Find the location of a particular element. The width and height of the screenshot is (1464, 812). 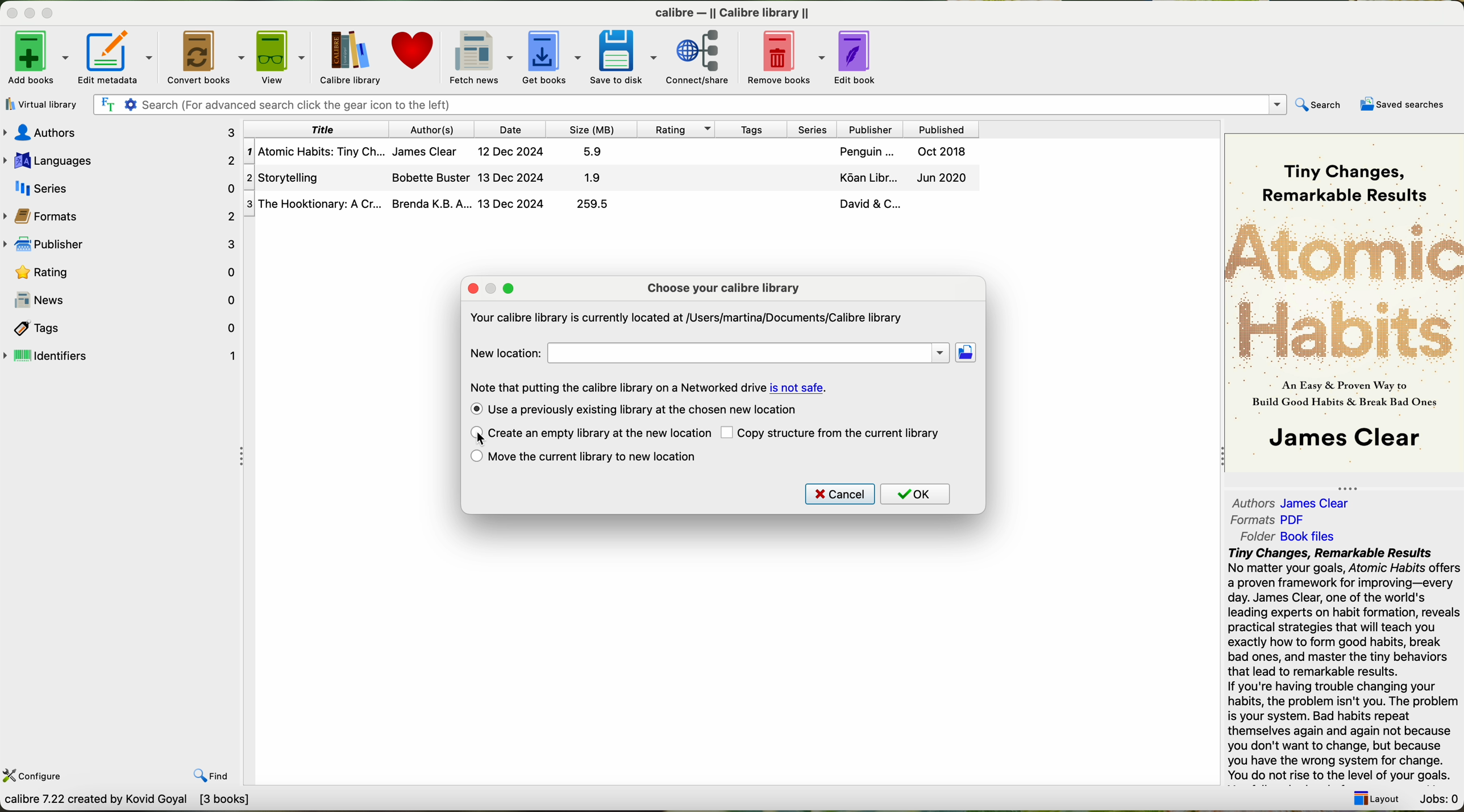

cancel button is located at coordinates (839, 494).